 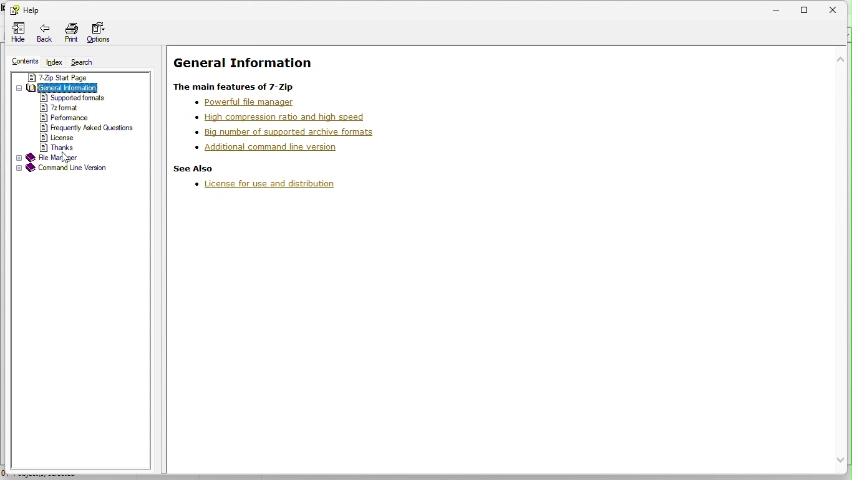 I want to click on Back, so click(x=43, y=33).